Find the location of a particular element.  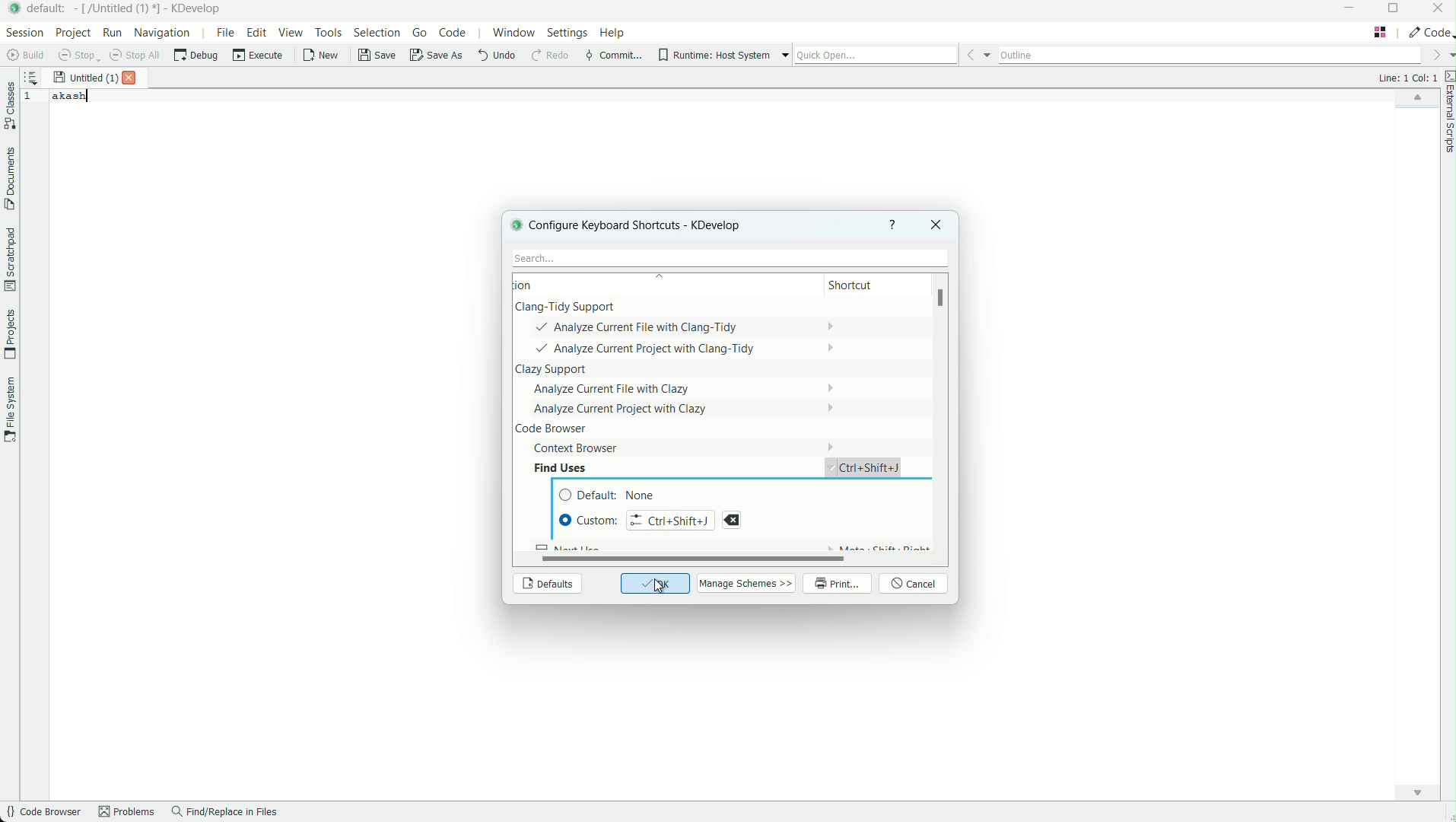

file system is located at coordinates (9, 407).